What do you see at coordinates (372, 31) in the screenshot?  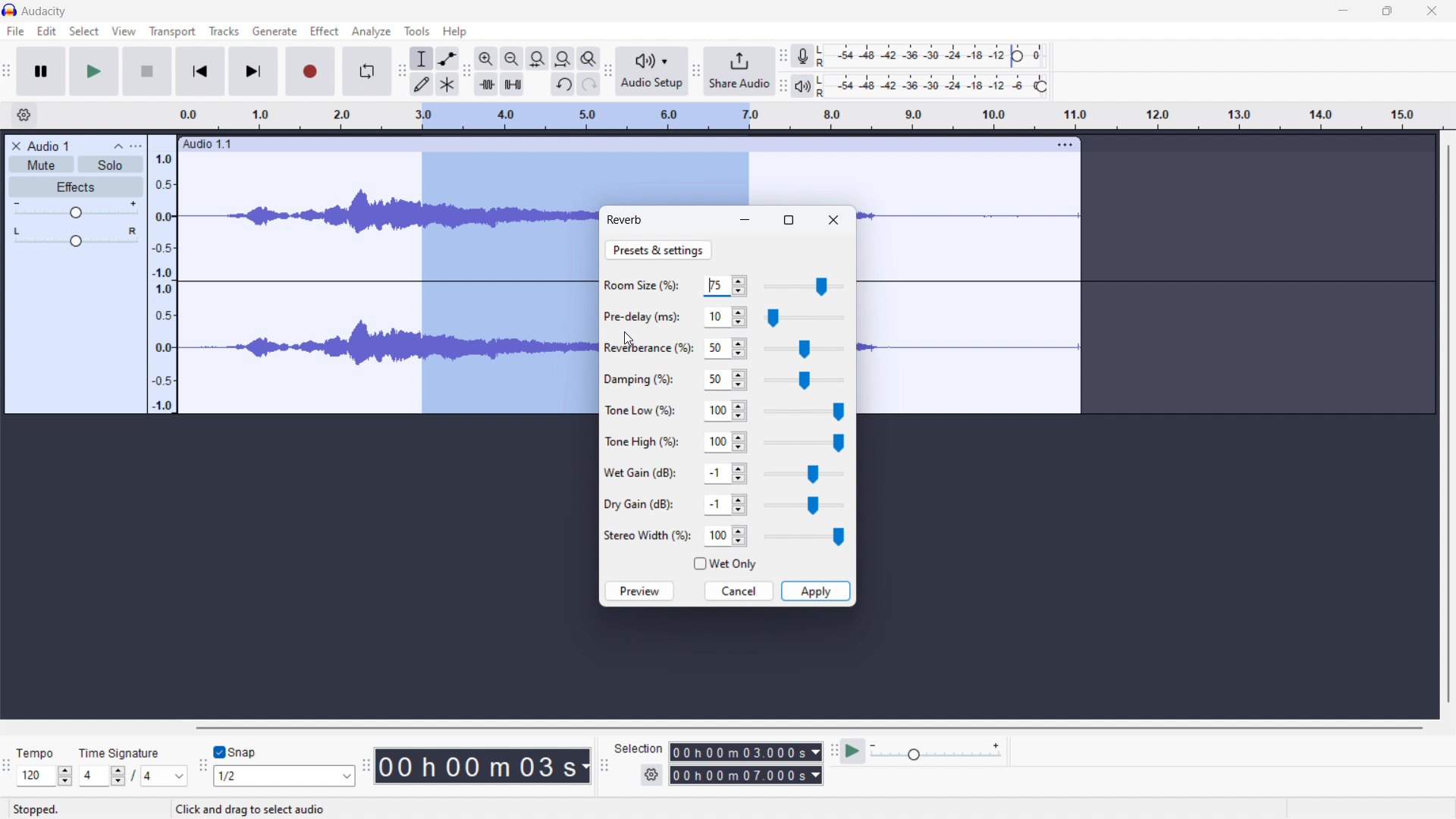 I see `analyze` at bounding box center [372, 31].